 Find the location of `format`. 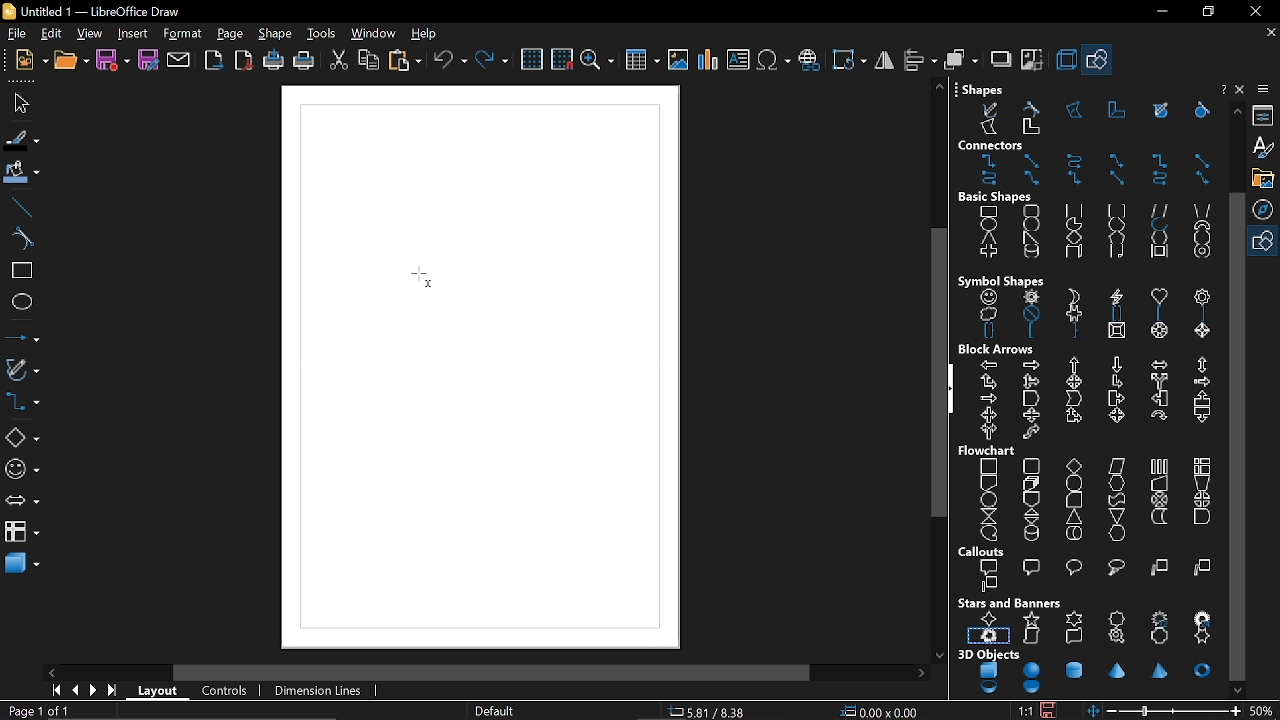

format is located at coordinates (182, 34).